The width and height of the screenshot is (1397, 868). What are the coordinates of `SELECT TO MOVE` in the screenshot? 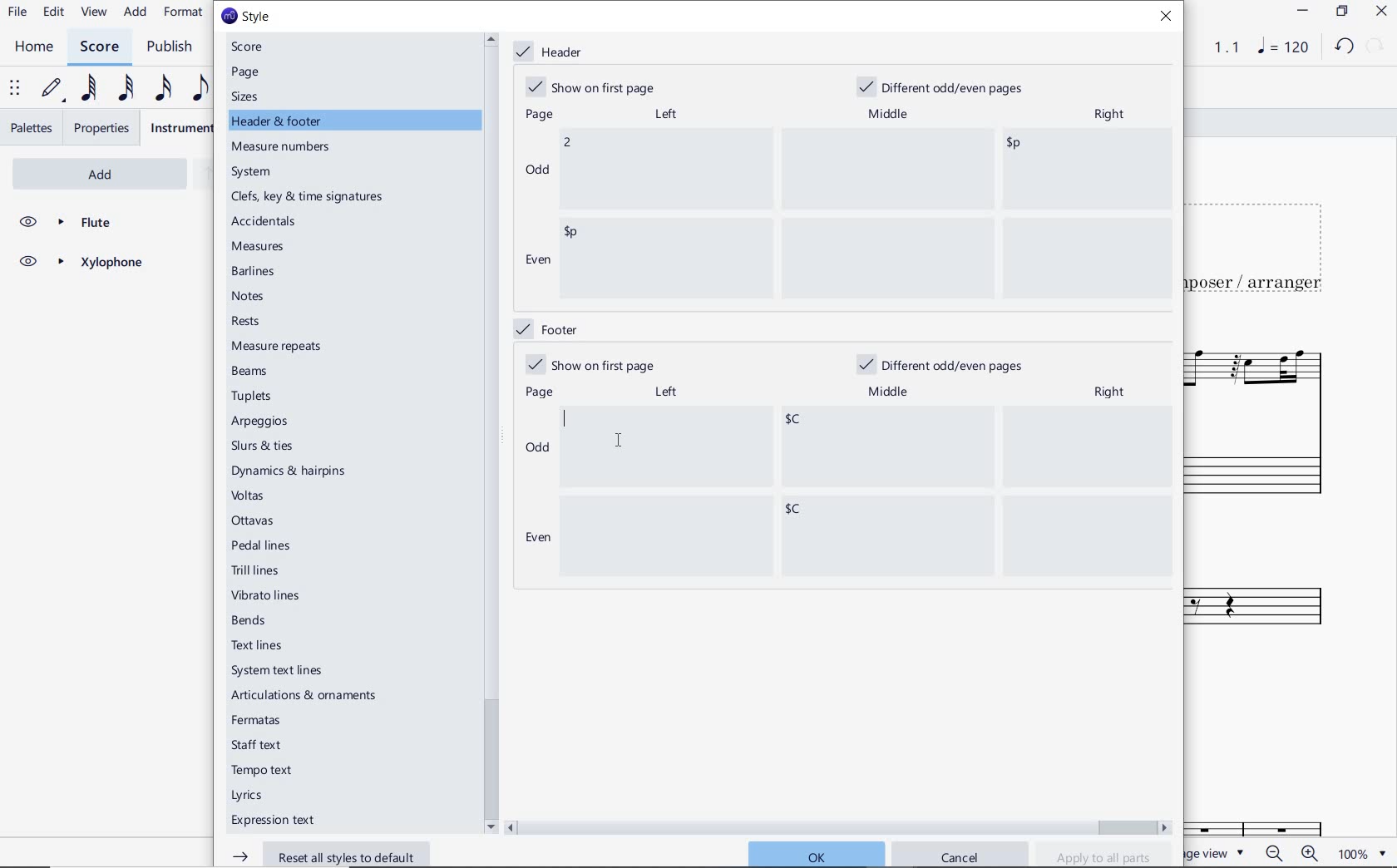 It's located at (15, 89).